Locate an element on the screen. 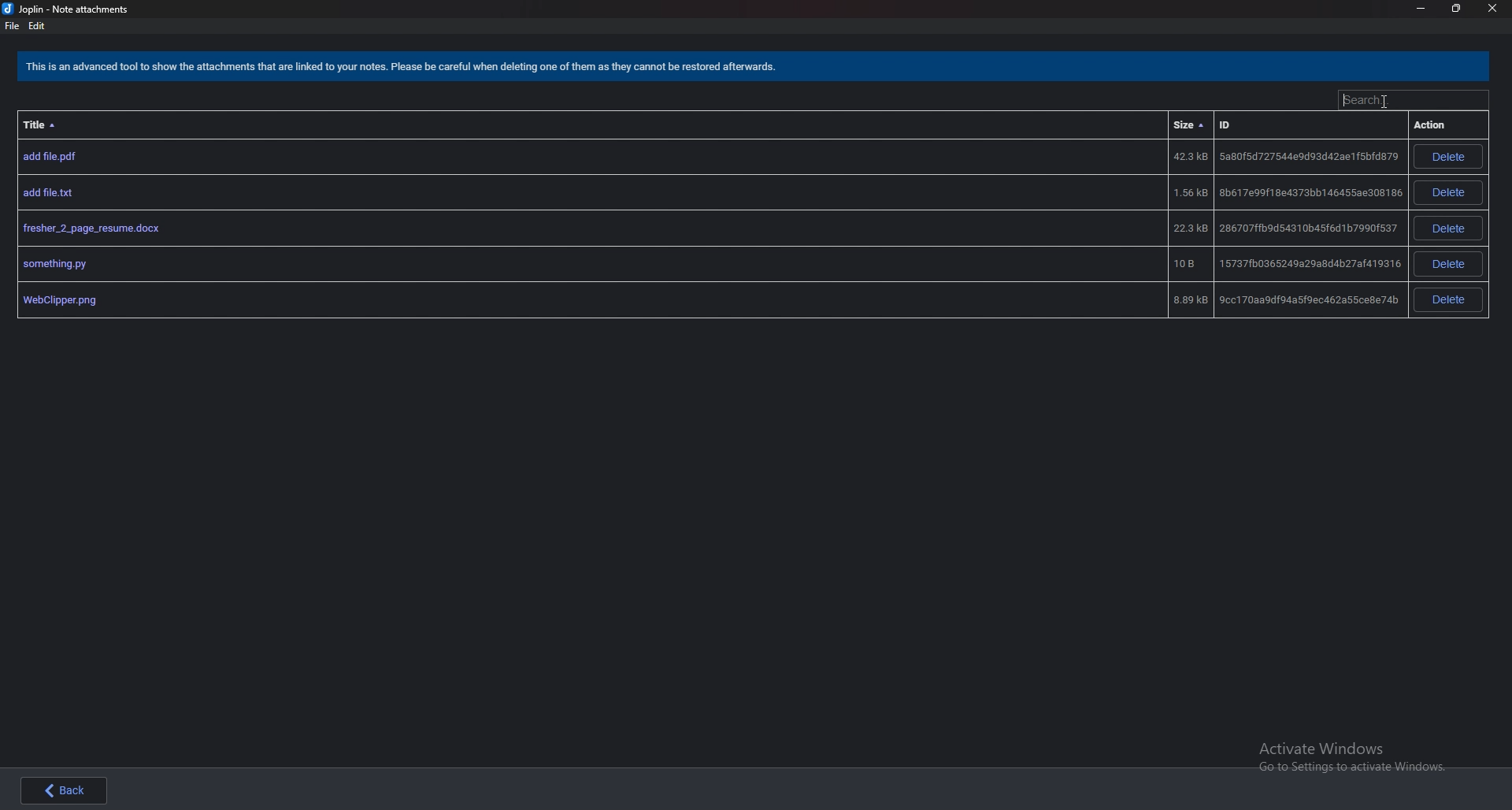 This screenshot has height=810, width=1512. close is located at coordinates (1492, 9).